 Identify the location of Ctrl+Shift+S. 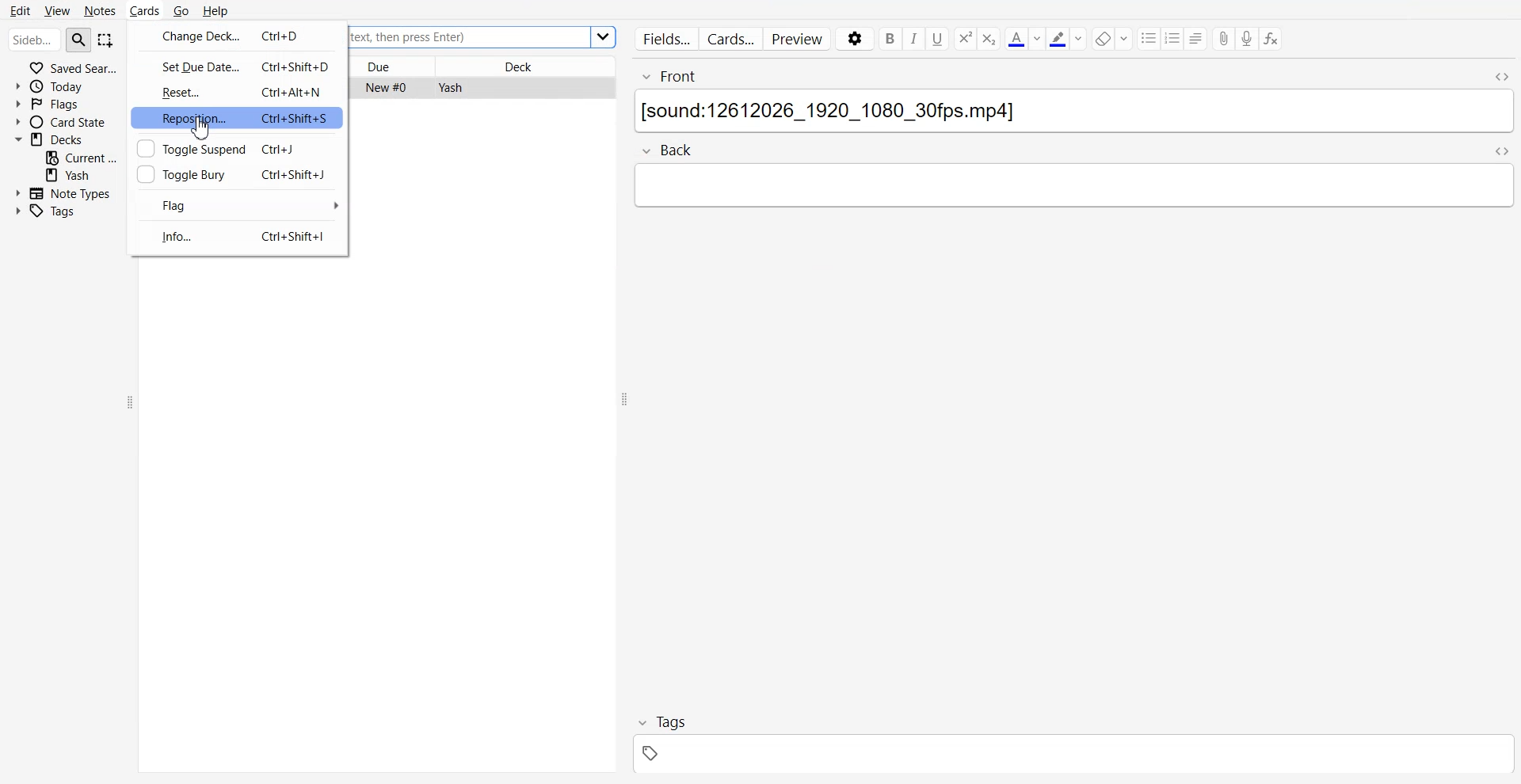
(298, 117).